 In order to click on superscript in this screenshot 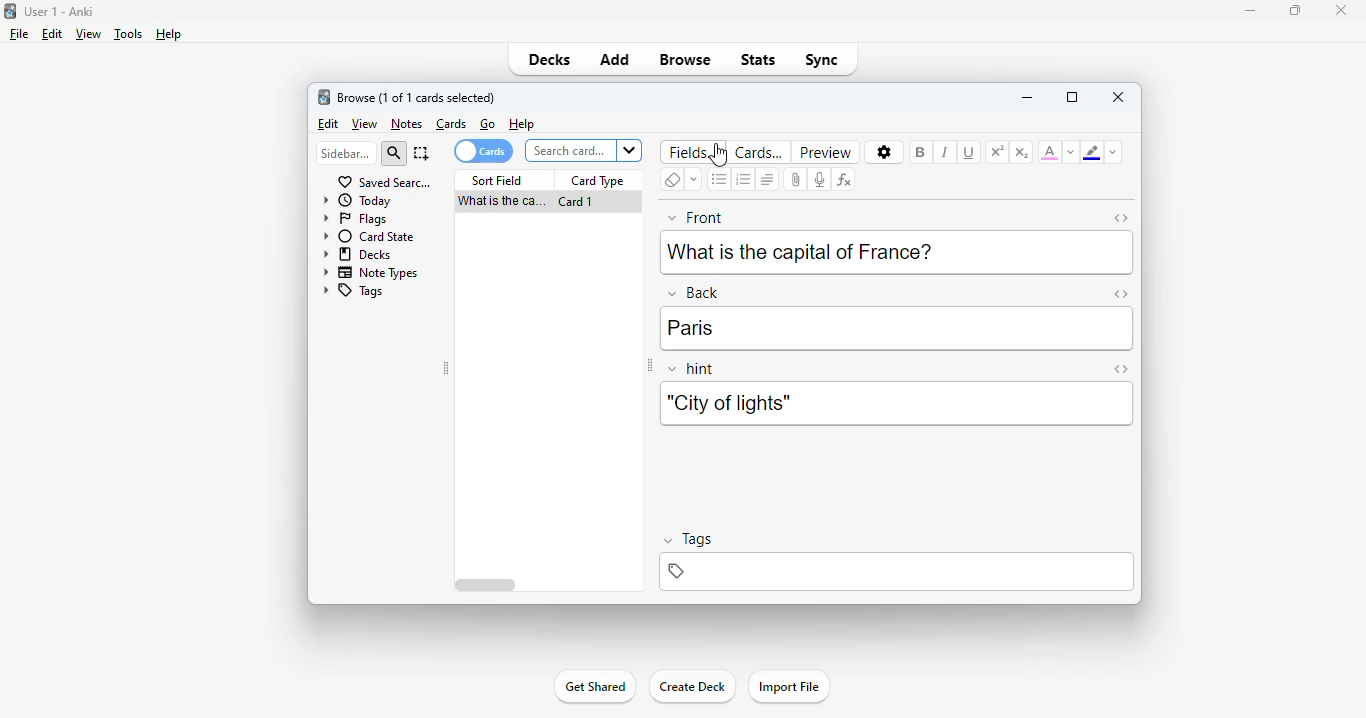, I will do `click(997, 152)`.